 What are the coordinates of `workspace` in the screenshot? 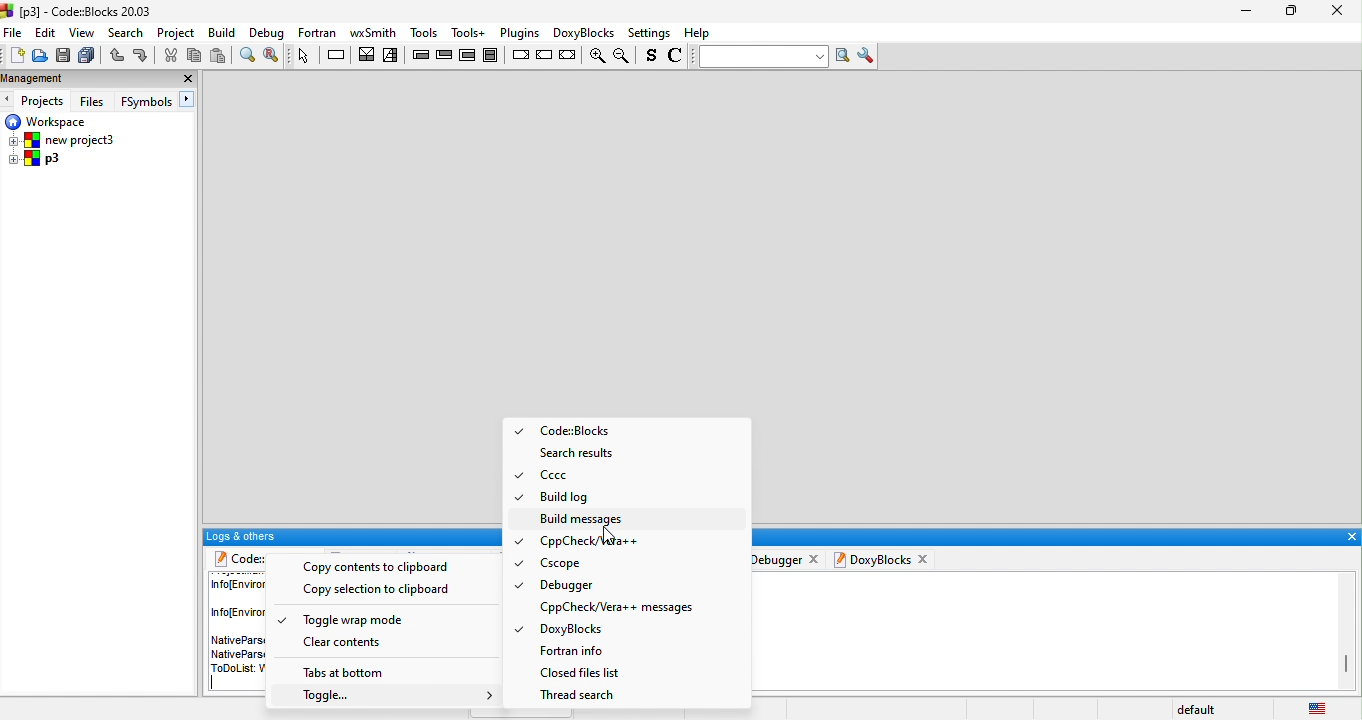 It's located at (48, 121).